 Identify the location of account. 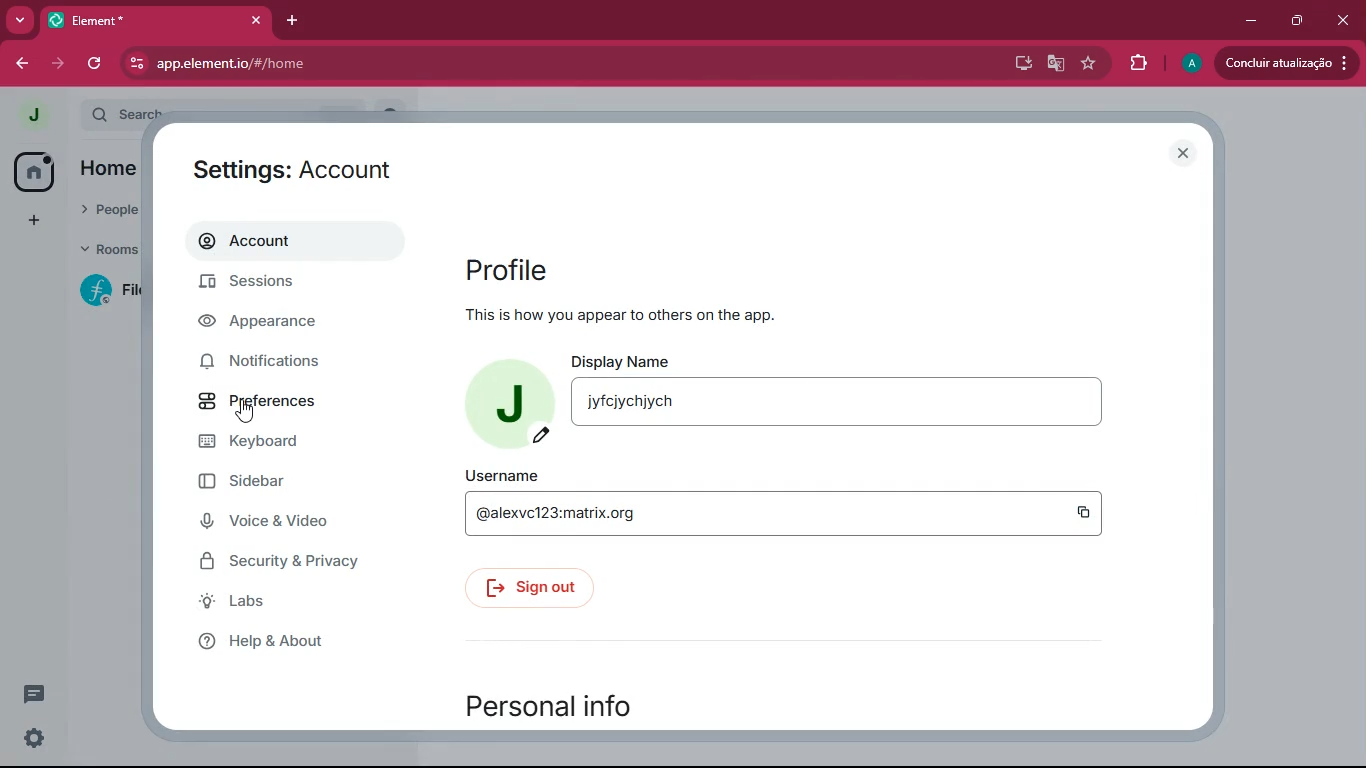
(290, 244).